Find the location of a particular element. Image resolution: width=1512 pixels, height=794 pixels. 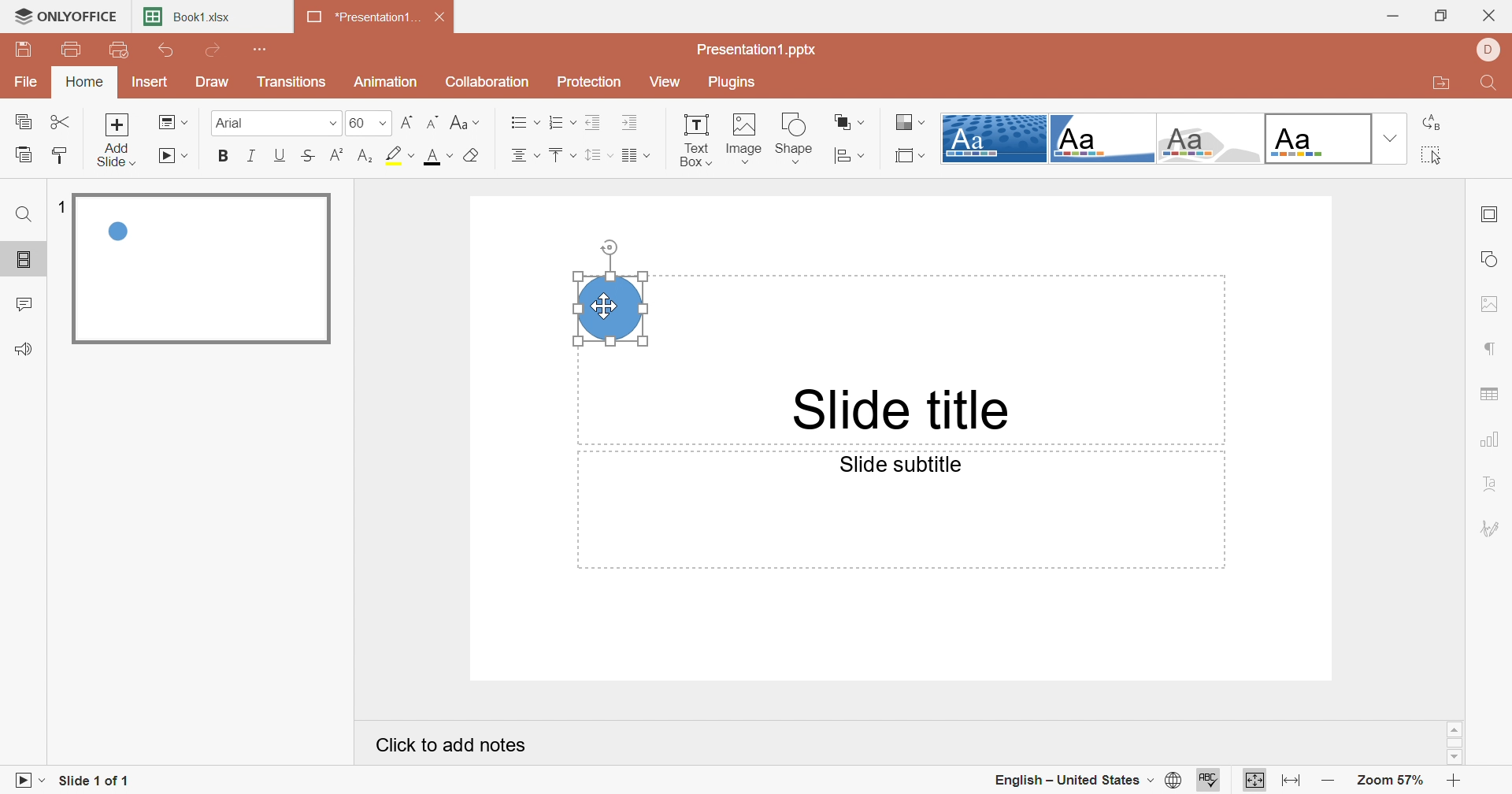

Save is located at coordinates (21, 49).